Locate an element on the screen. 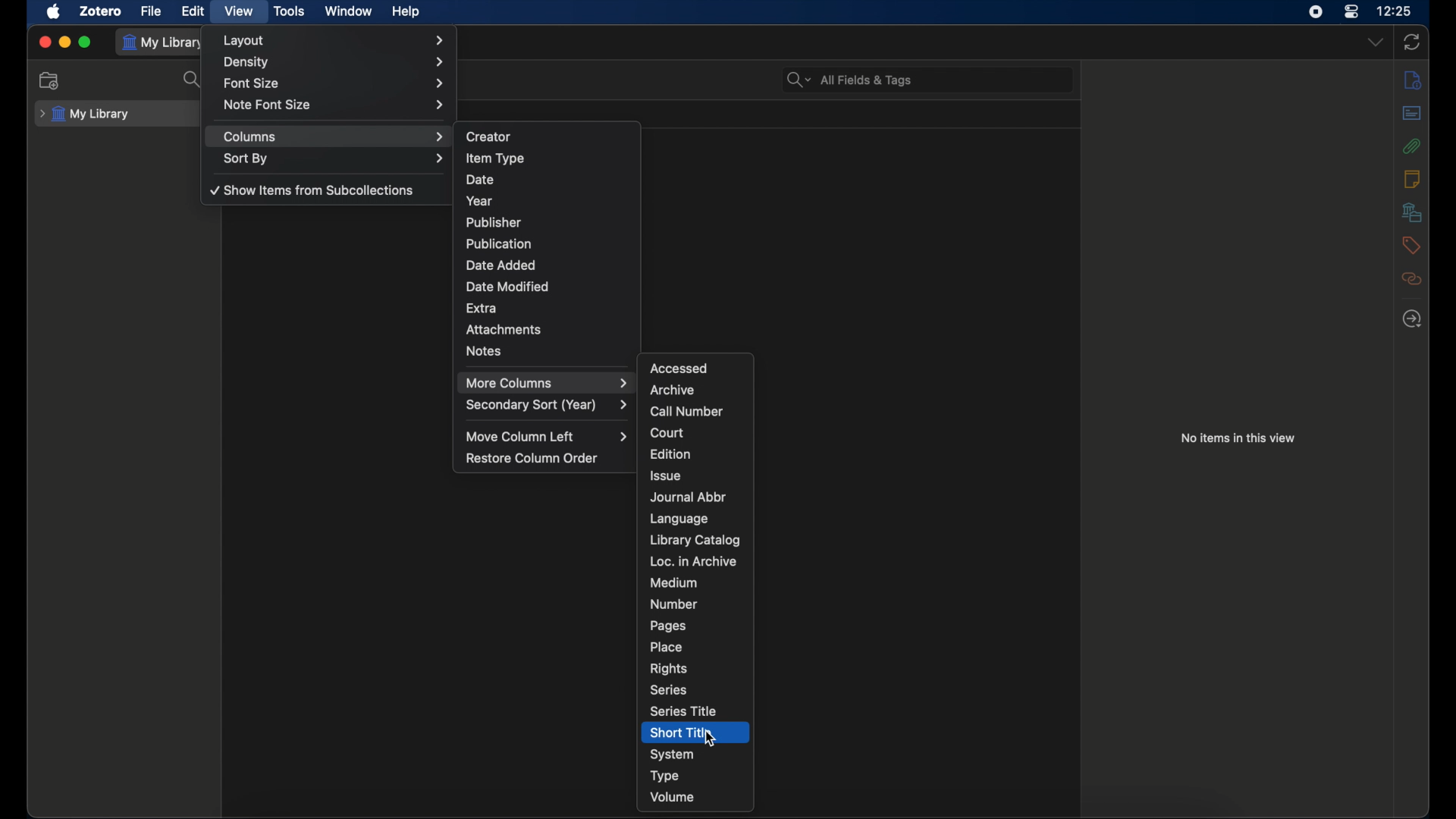 The height and width of the screenshot is (819, 1456). info is located at coordinates (1412, 80).